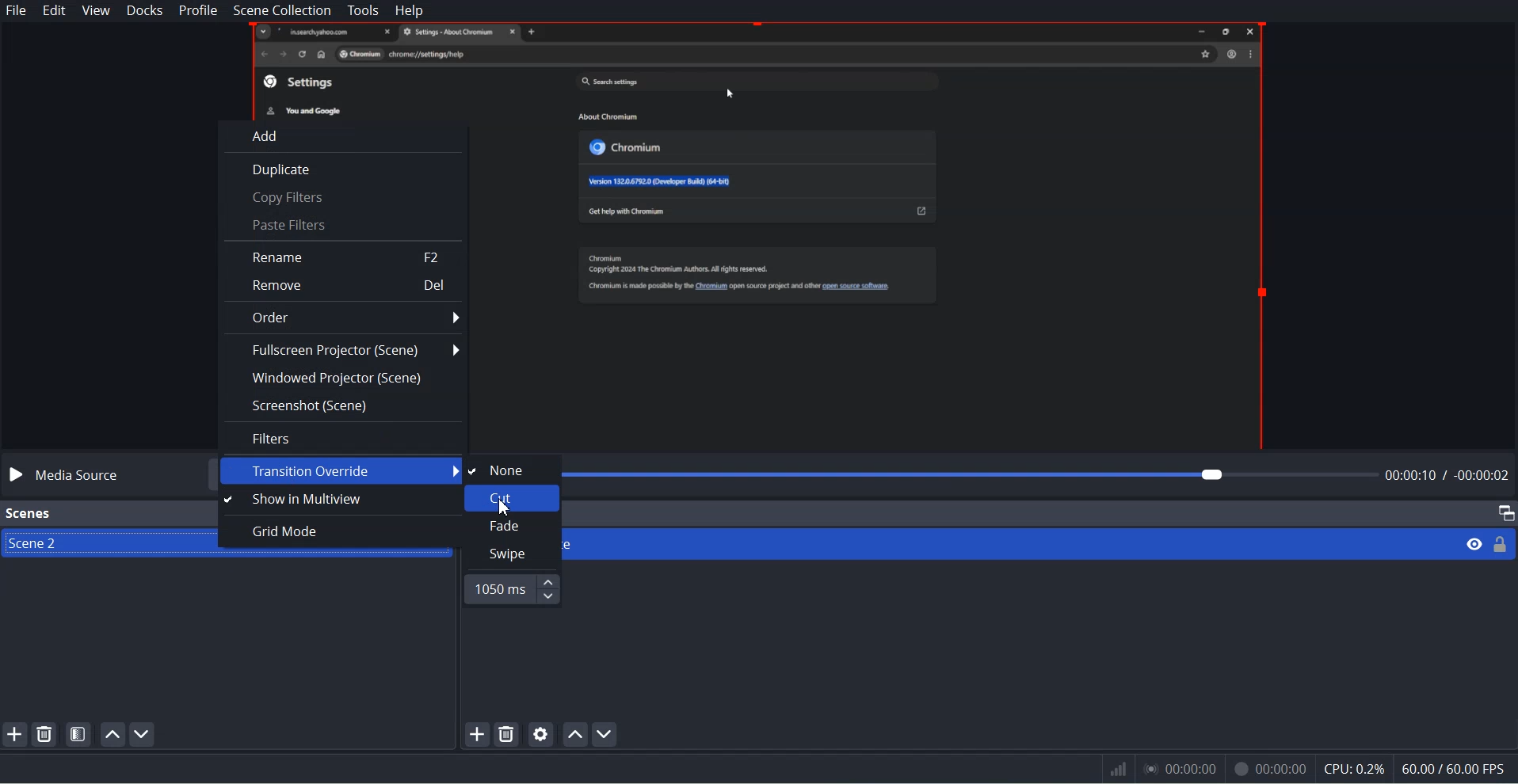  I want to click on Fade, so click(510, 526).